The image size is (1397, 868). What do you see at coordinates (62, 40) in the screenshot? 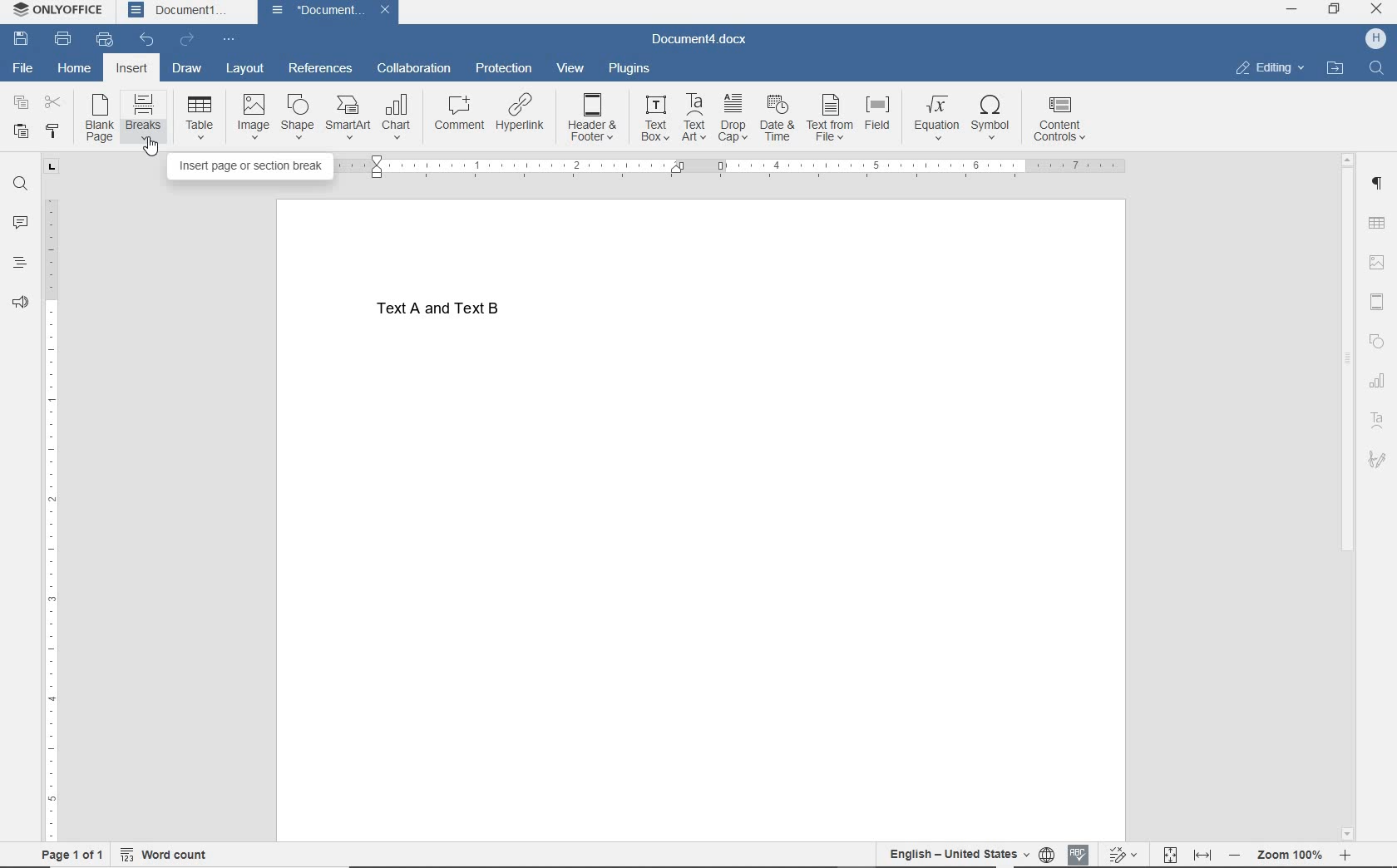
I see `PRINT` at bounding box center [62, 40].